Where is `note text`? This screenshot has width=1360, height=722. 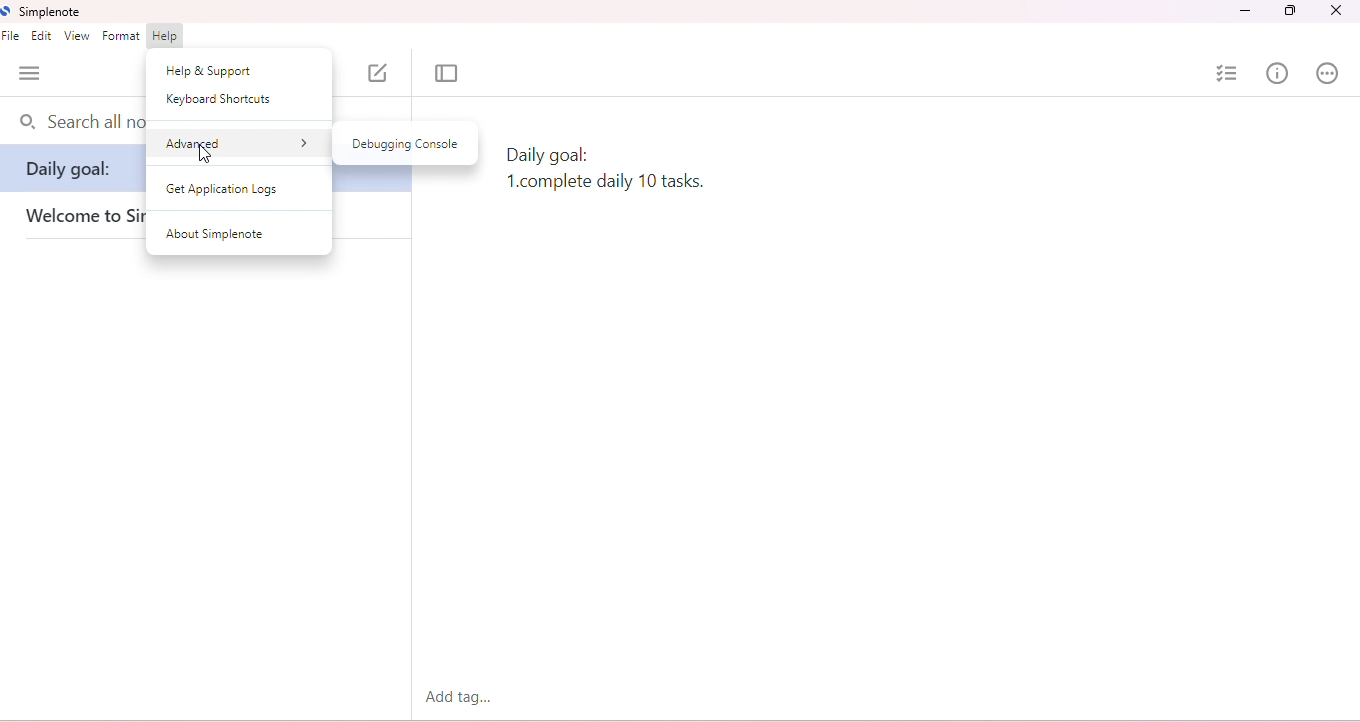
note text is located at coordinates (607, 167).